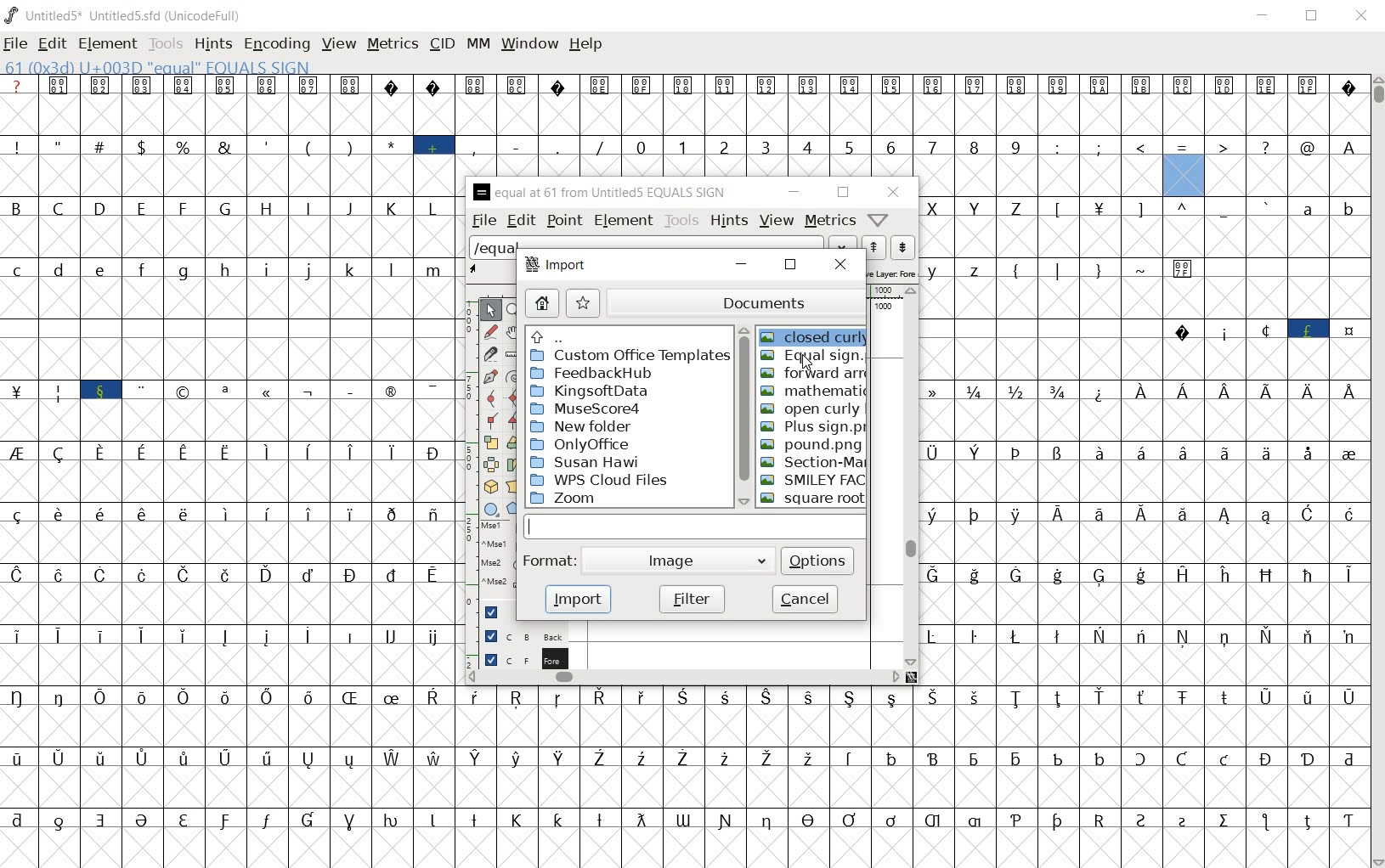 This screenshot has height=868, width=1385. Describe the element at coordinates (806, 125) in the screenshot. I see `glyph characters` at that location.